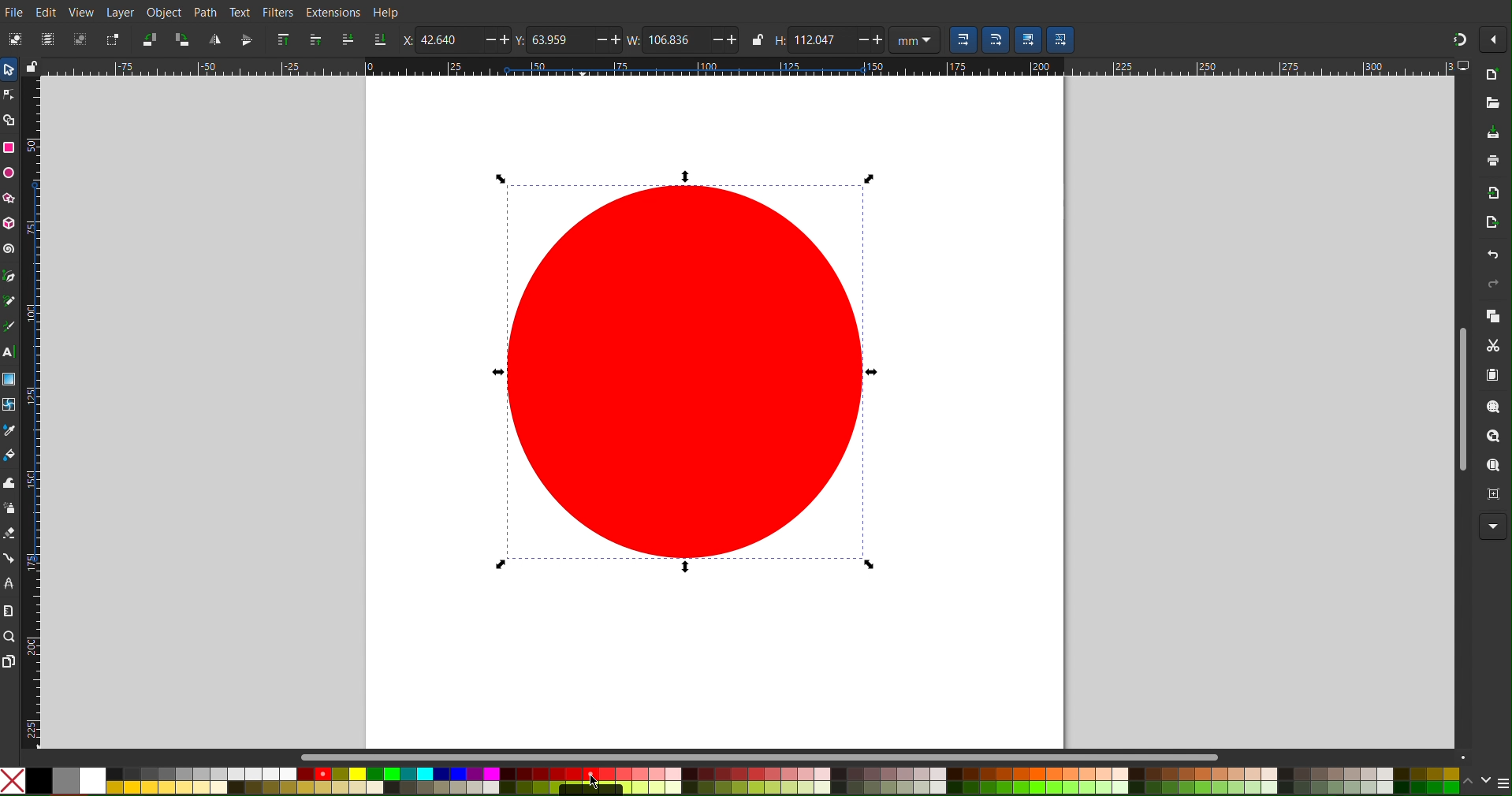 This screenshot has width=1512, height=796. I want to click on Shape Builder Tool, so click(9, 118).